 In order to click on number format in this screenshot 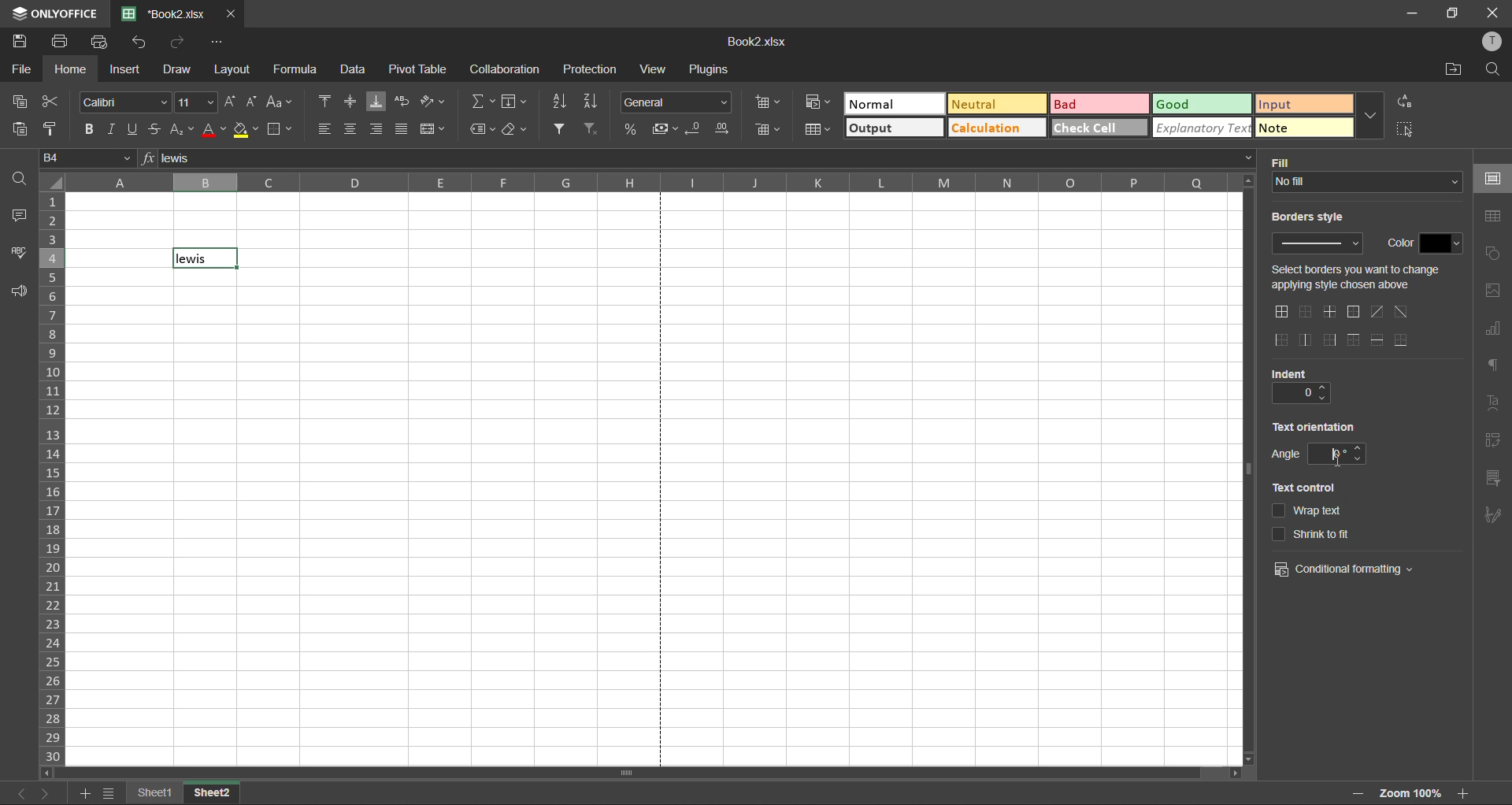, I will do `click(678, 102)`.